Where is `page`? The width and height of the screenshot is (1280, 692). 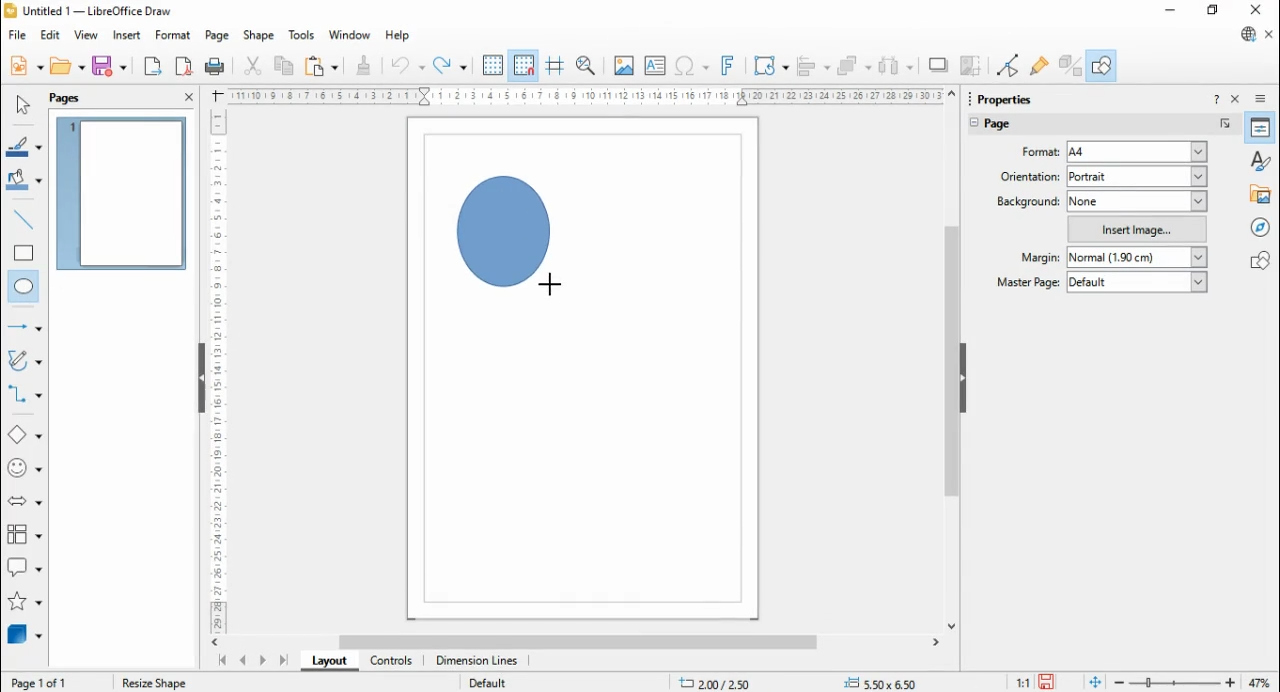 page is located at coordinates (218, 36).